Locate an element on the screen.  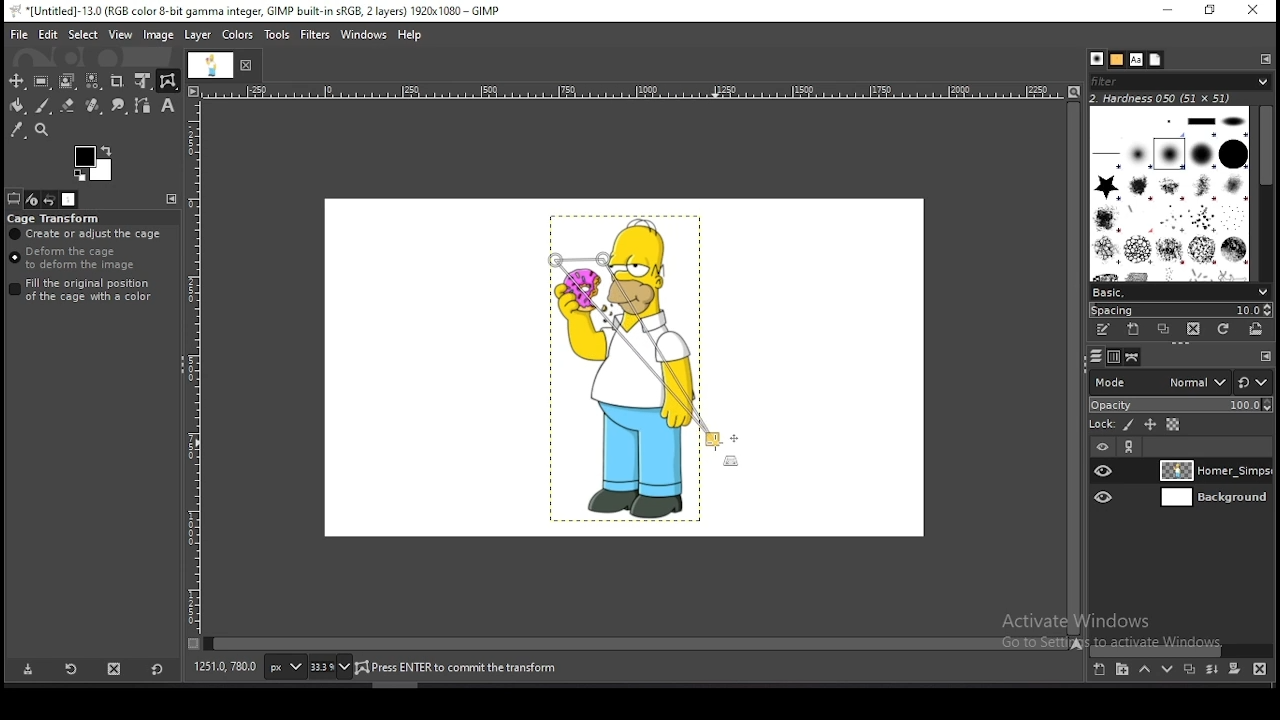
delete tool preset is located at coordinates (116, 670).